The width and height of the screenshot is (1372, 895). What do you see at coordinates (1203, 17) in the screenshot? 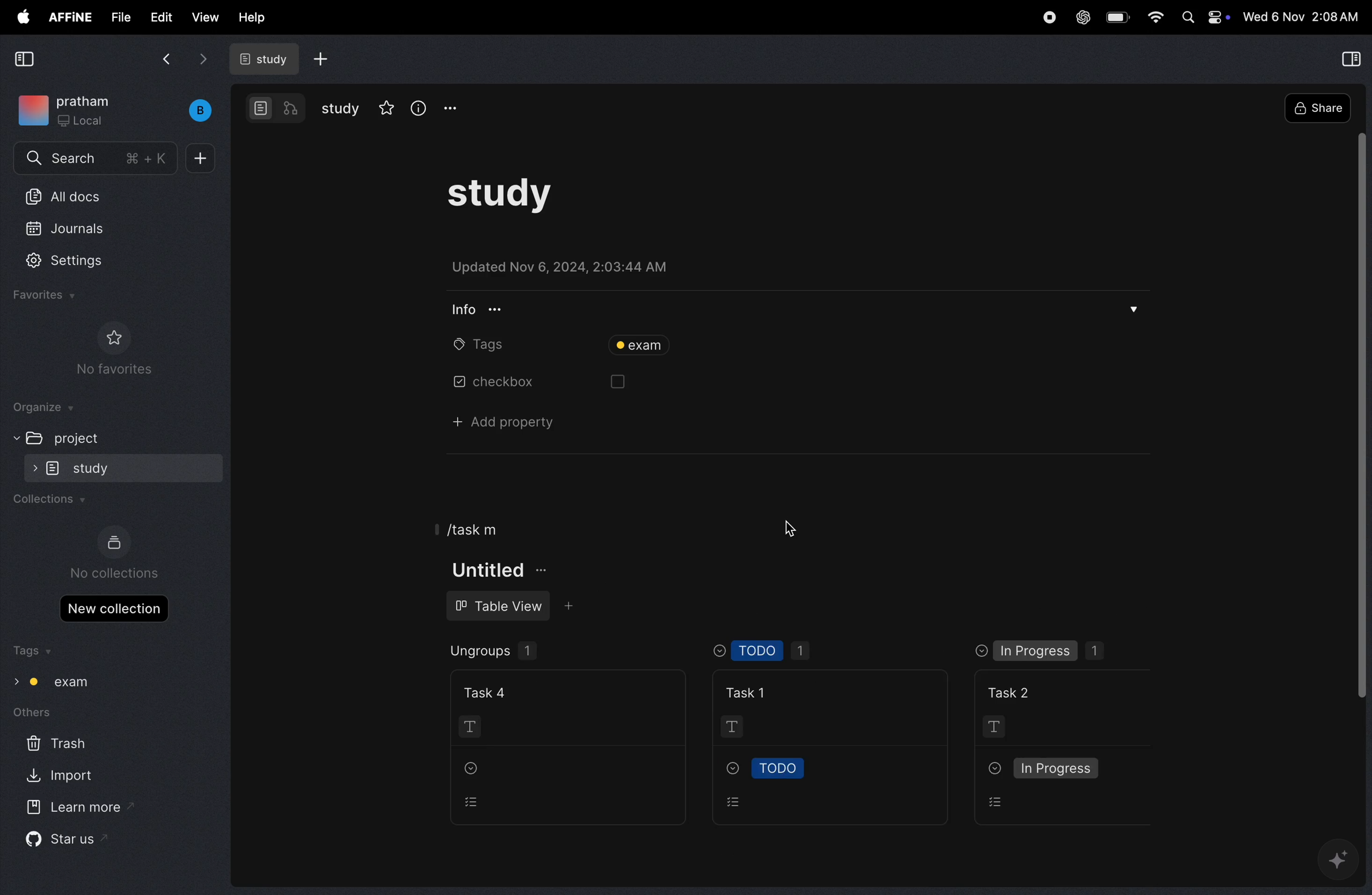
I see `apple widgets` at bounding box center [1203, 17].